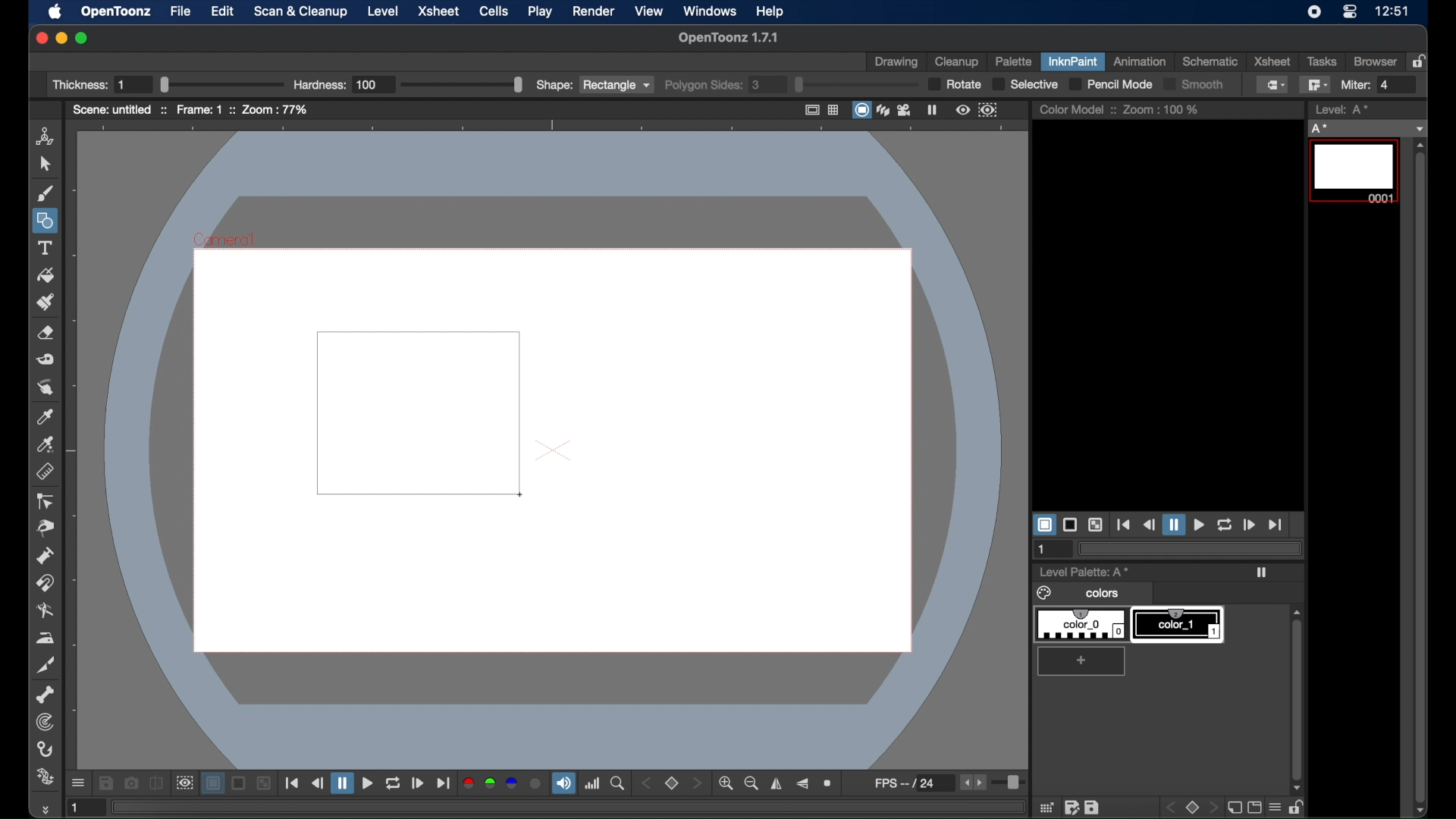 The height and width of the screenshot is (819, 1456). Describe the element at coordinates (1043, 550) in the screenshot. I see `1` at that location.